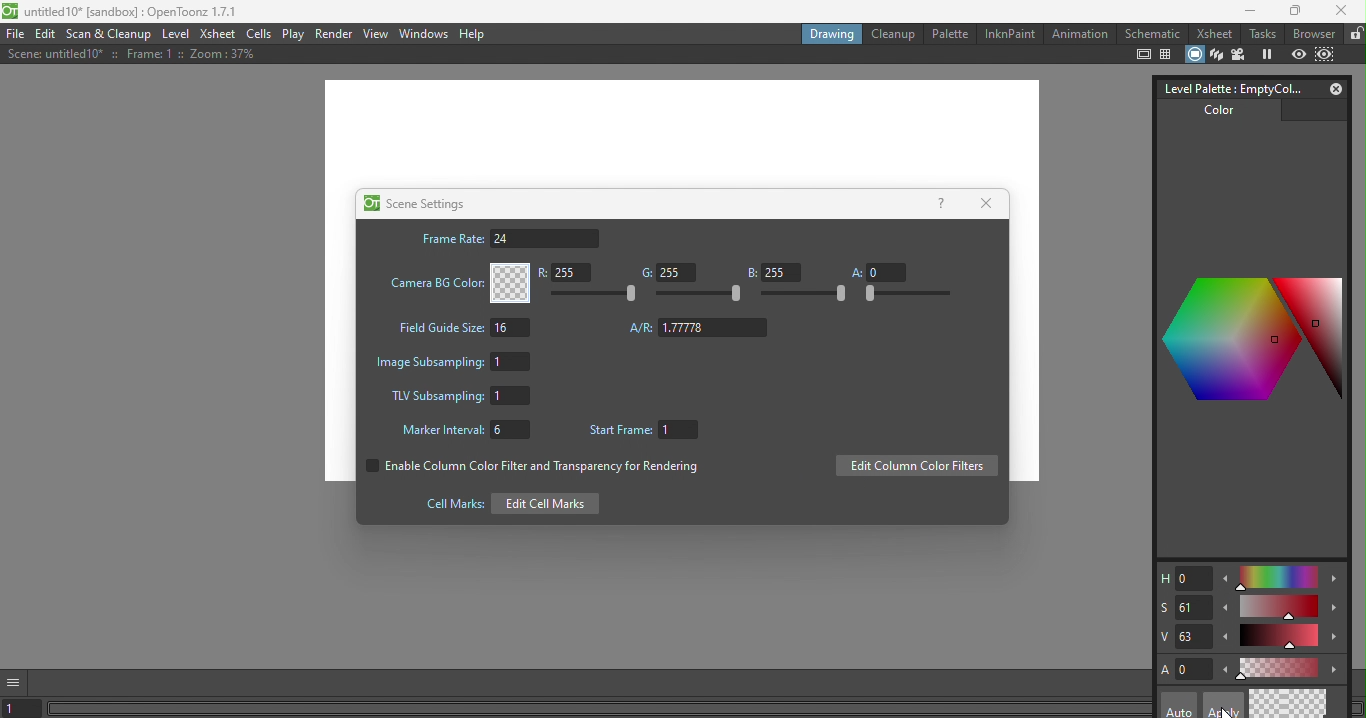 The image size is (1366, 718). Describe the element at coordinates (600, 710) in the screenshot. I see `Horizontal scroll bar` at that location.